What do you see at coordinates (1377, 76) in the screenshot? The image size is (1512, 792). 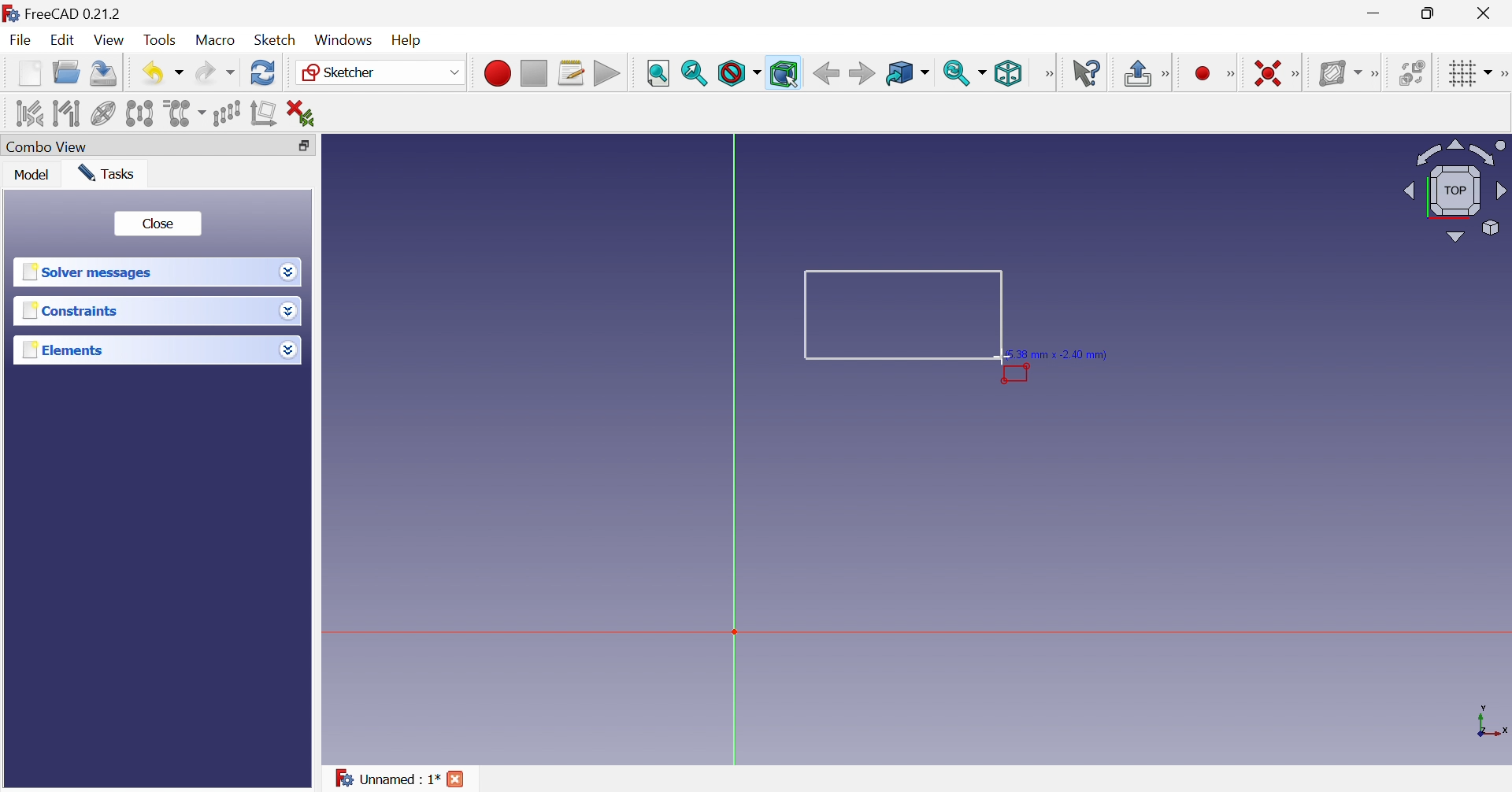 I see `[Sketcher B-spline tools]` at bounding box center [1377, 76].